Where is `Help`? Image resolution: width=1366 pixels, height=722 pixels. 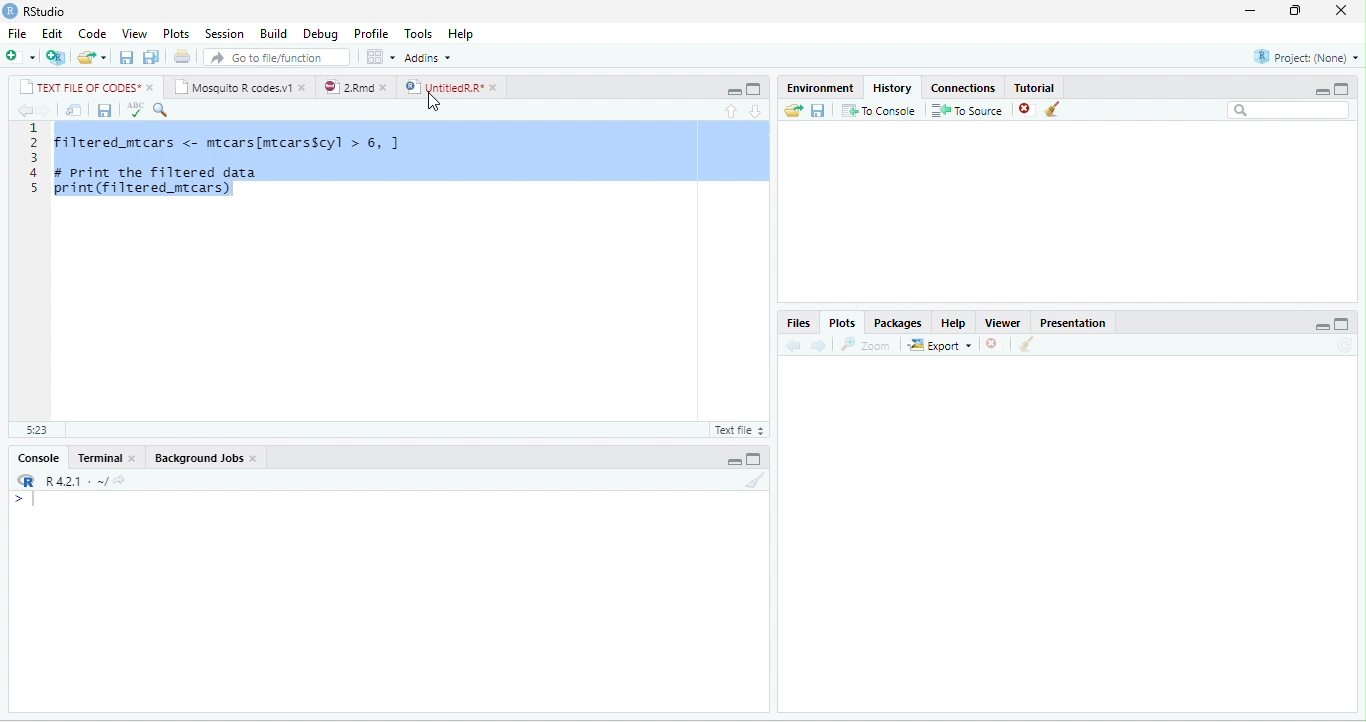
Help is located at coordinates (460, 34).